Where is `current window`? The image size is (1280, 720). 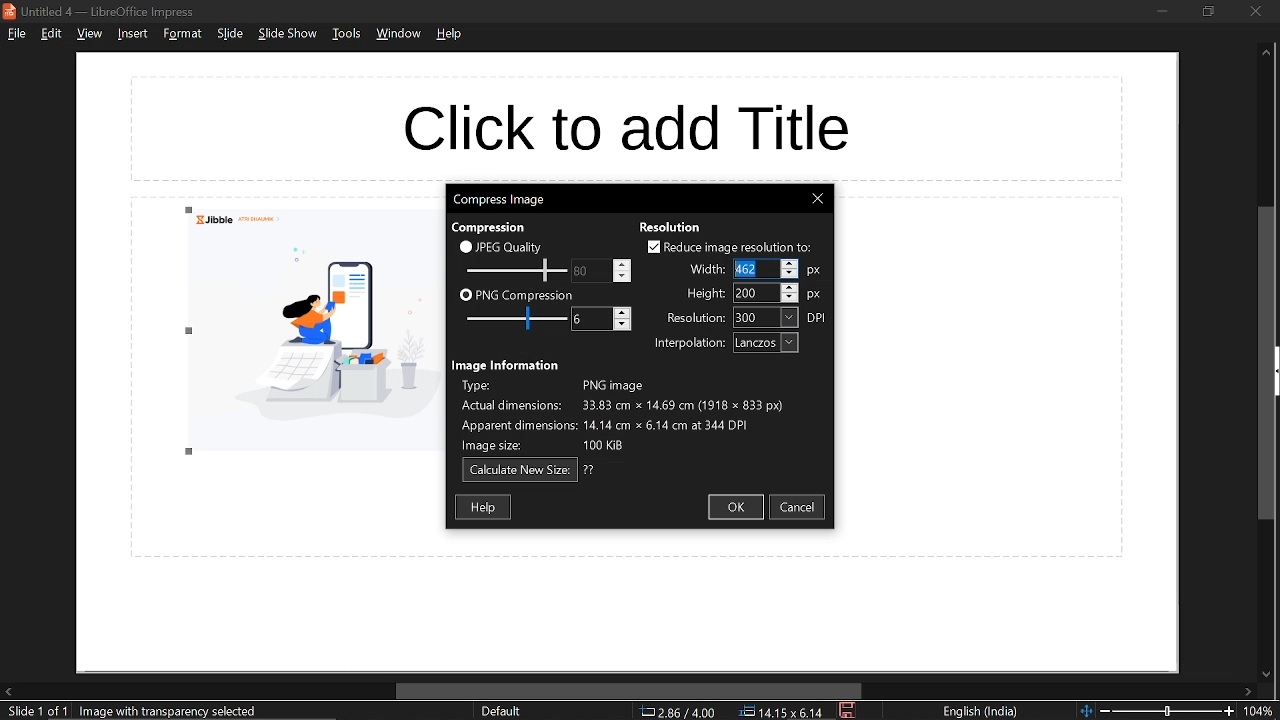
current window is located at coordinates (104, 11).